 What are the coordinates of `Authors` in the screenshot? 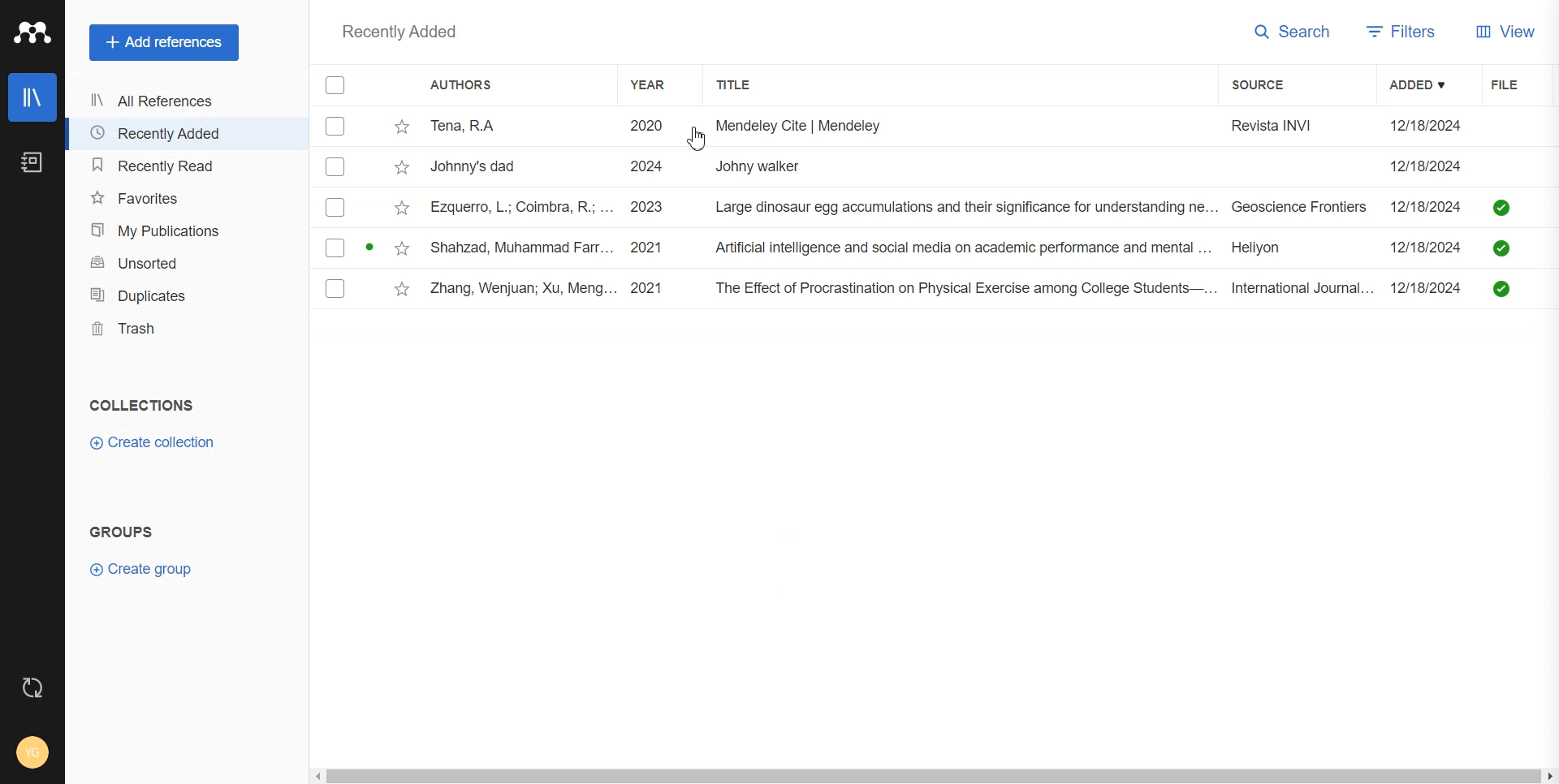 It's located at (460, 84).